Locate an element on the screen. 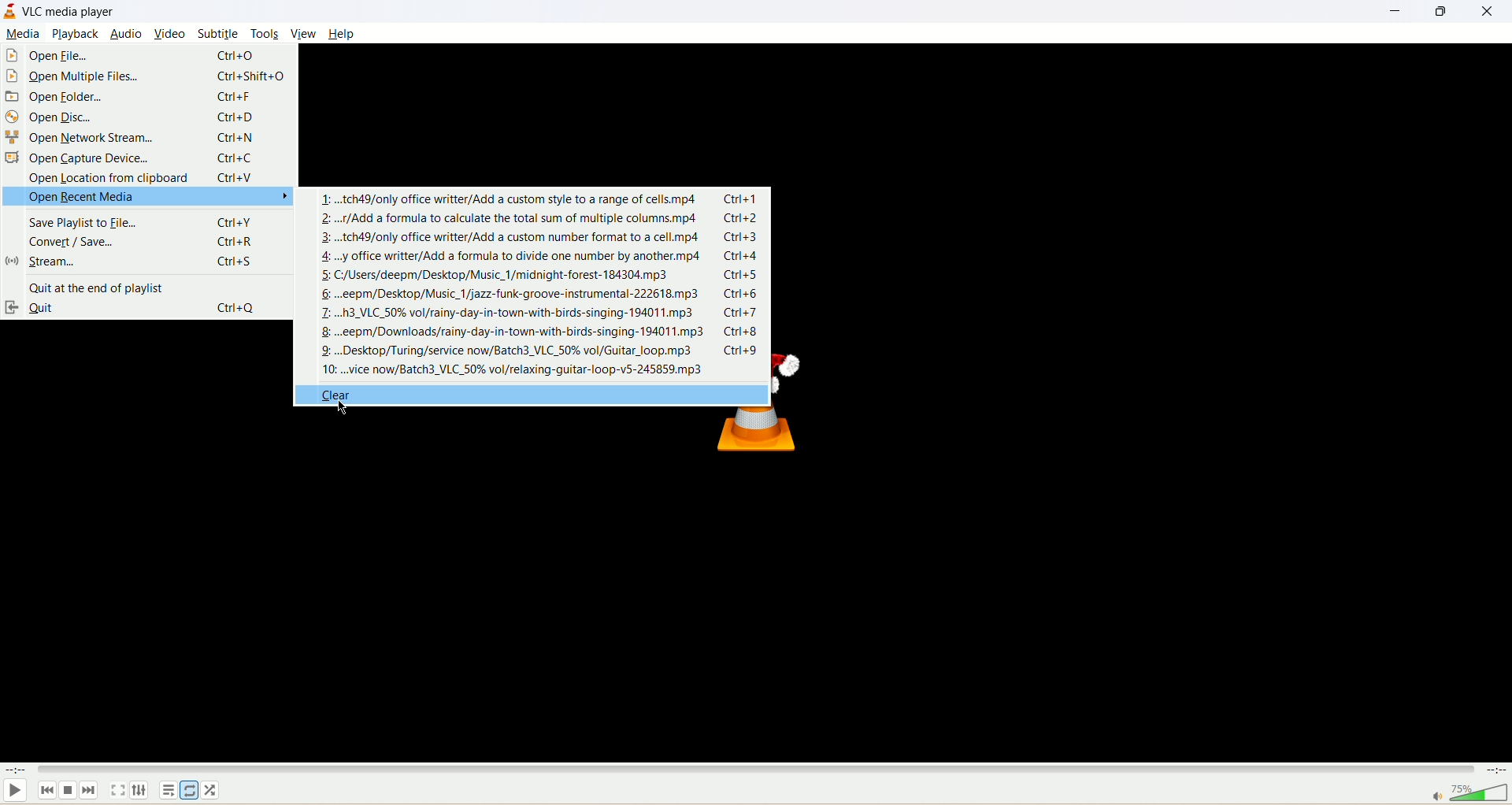  ctrl+9 is located at coordinates (745, 351).